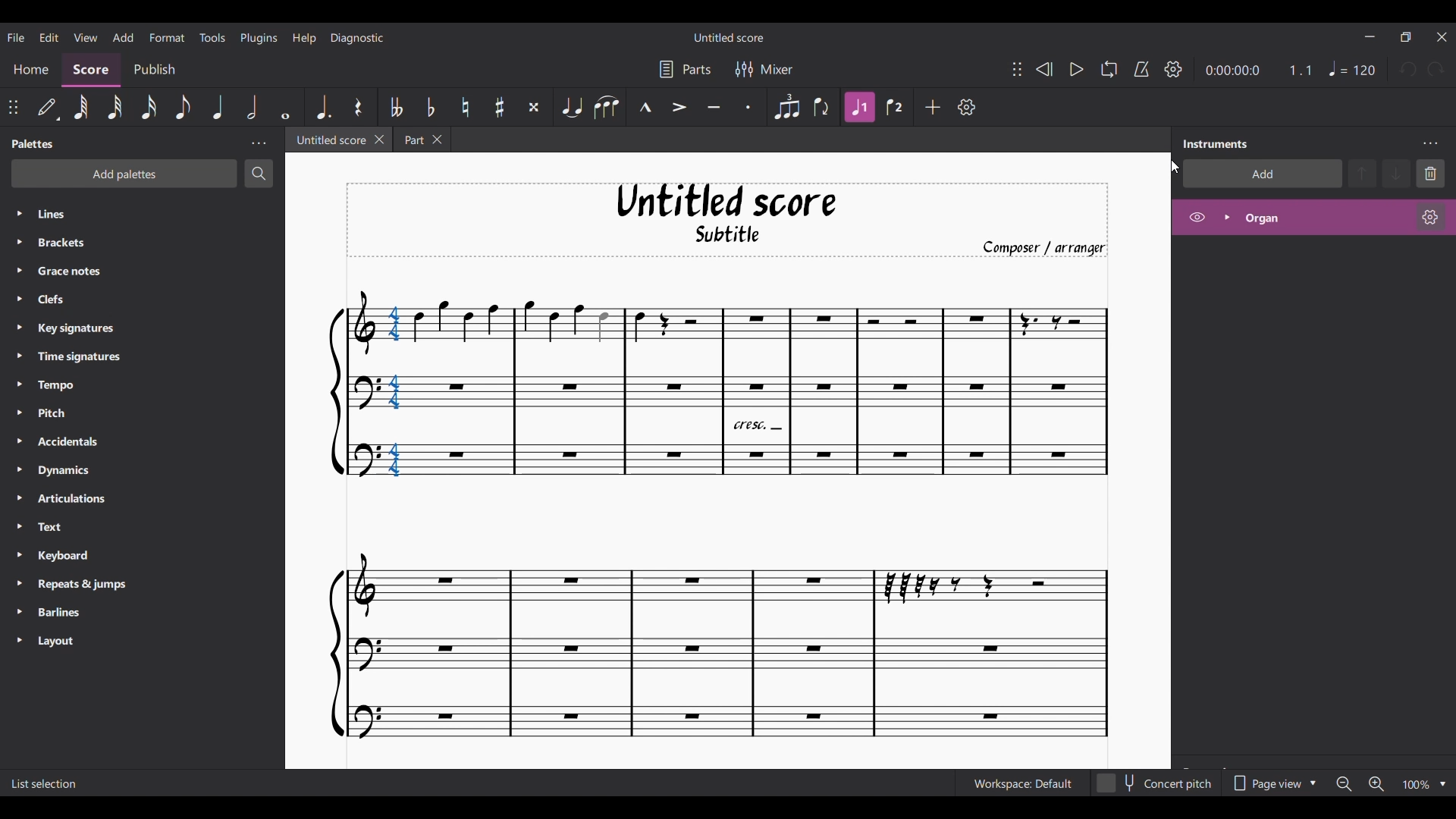 The width and height of the screenshot is (1456, 819). What do you see at coordinates (33, 144) in the screenshot?
I see `Palette title` at bounding box center [33, 144].